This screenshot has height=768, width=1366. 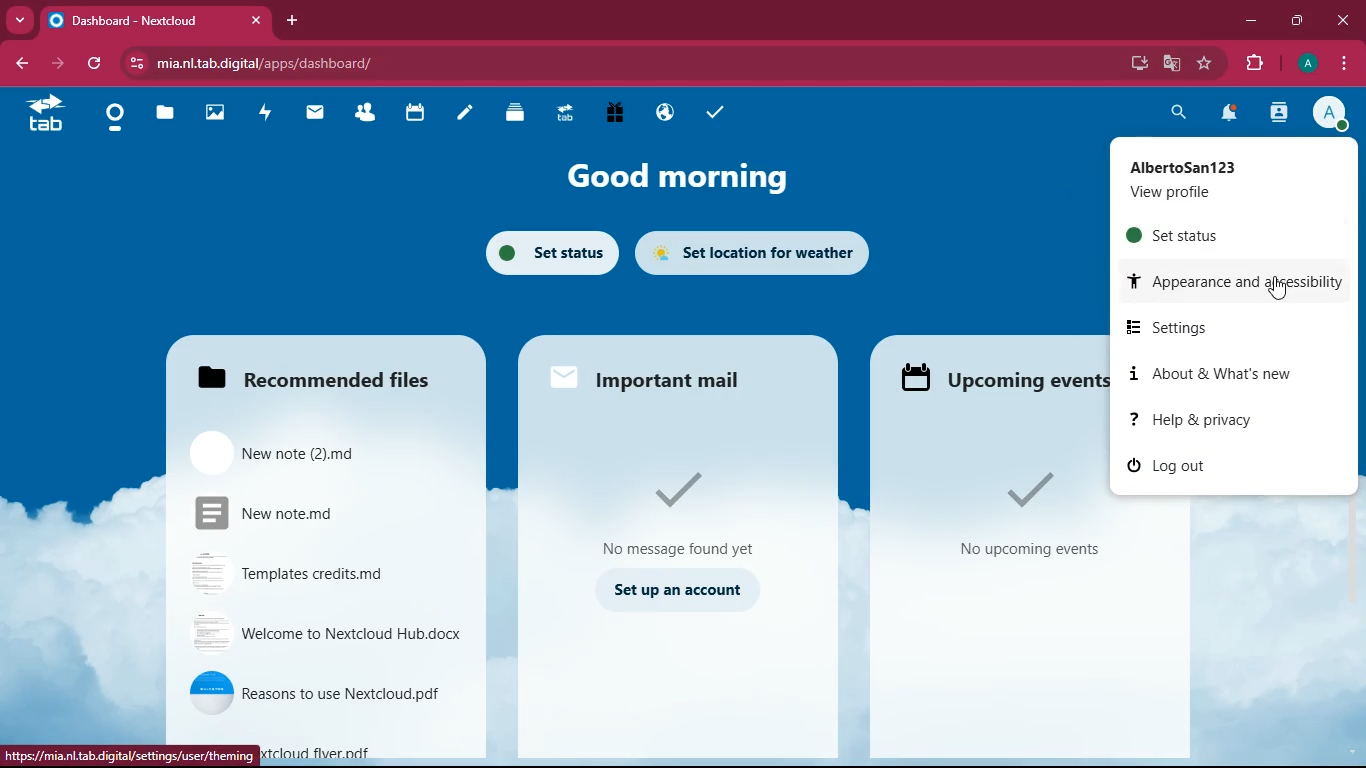 What do you see at coordinates (1303, 63) in the screenshot?
I see `profile` at bounding box center [1303, 63].